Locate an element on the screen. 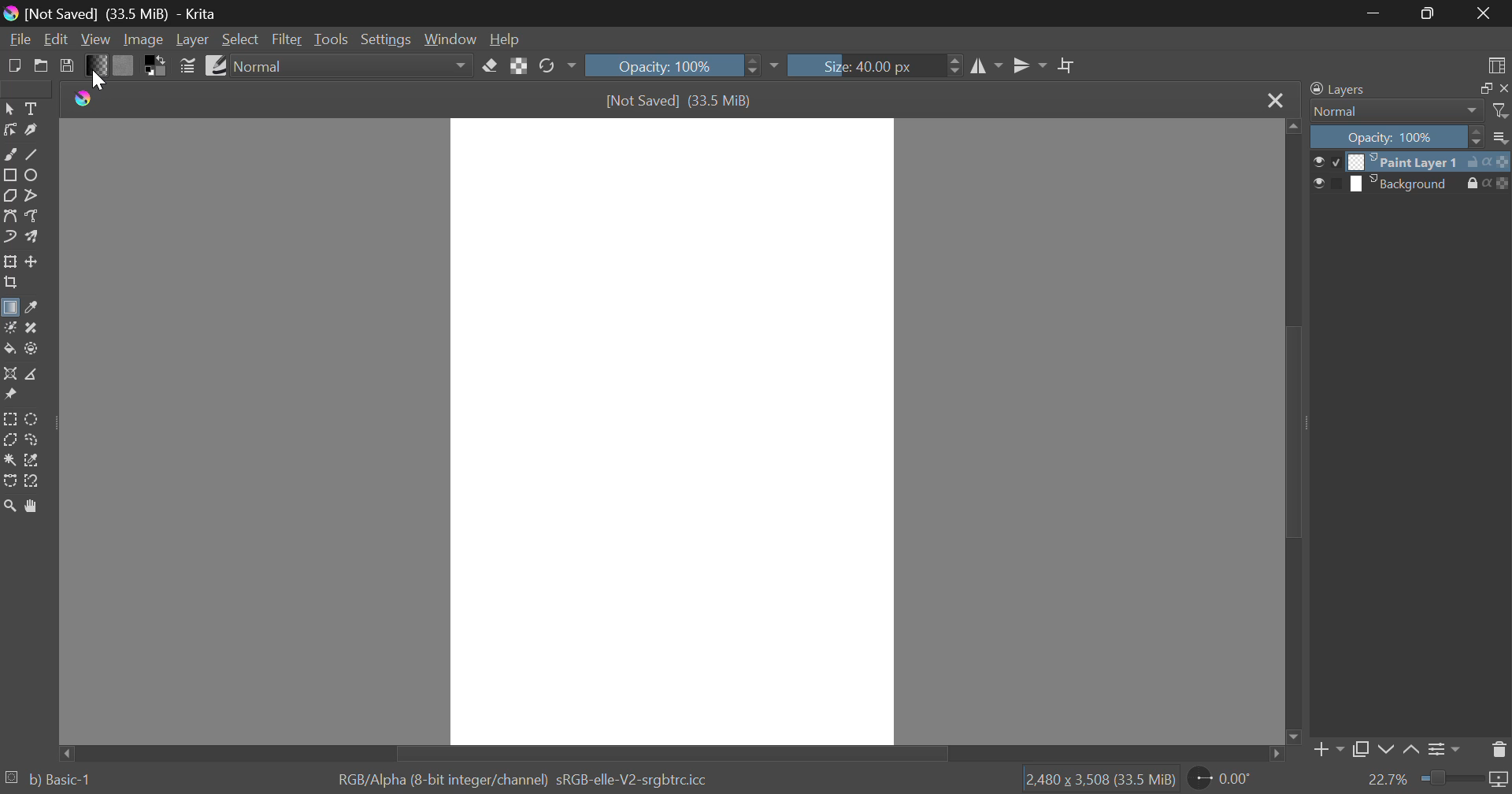  Normal is located at coordinates (1388, 111).